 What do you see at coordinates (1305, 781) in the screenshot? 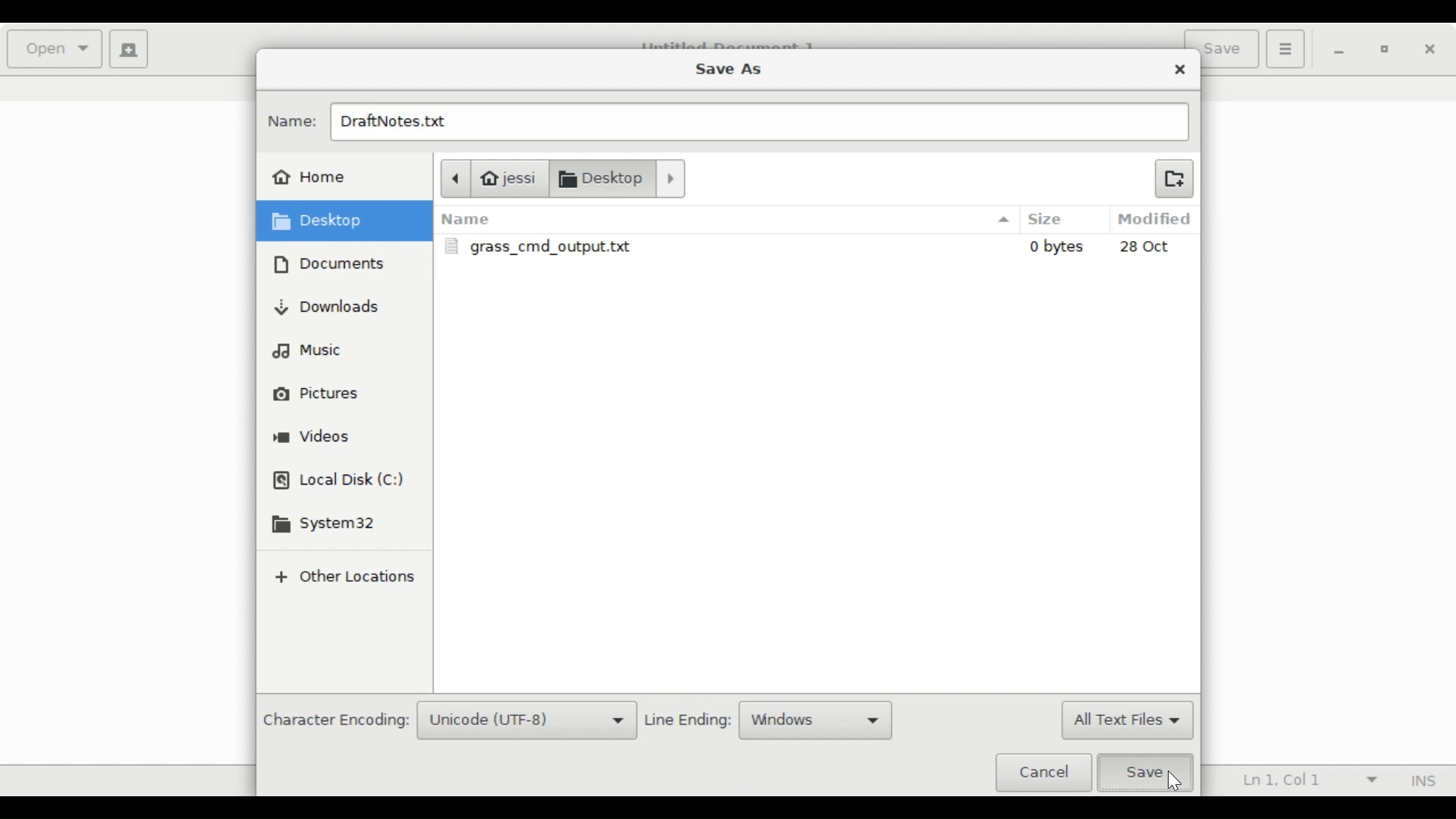
I see `Ln 1, Col 1` at bounding box center [1305, 781].